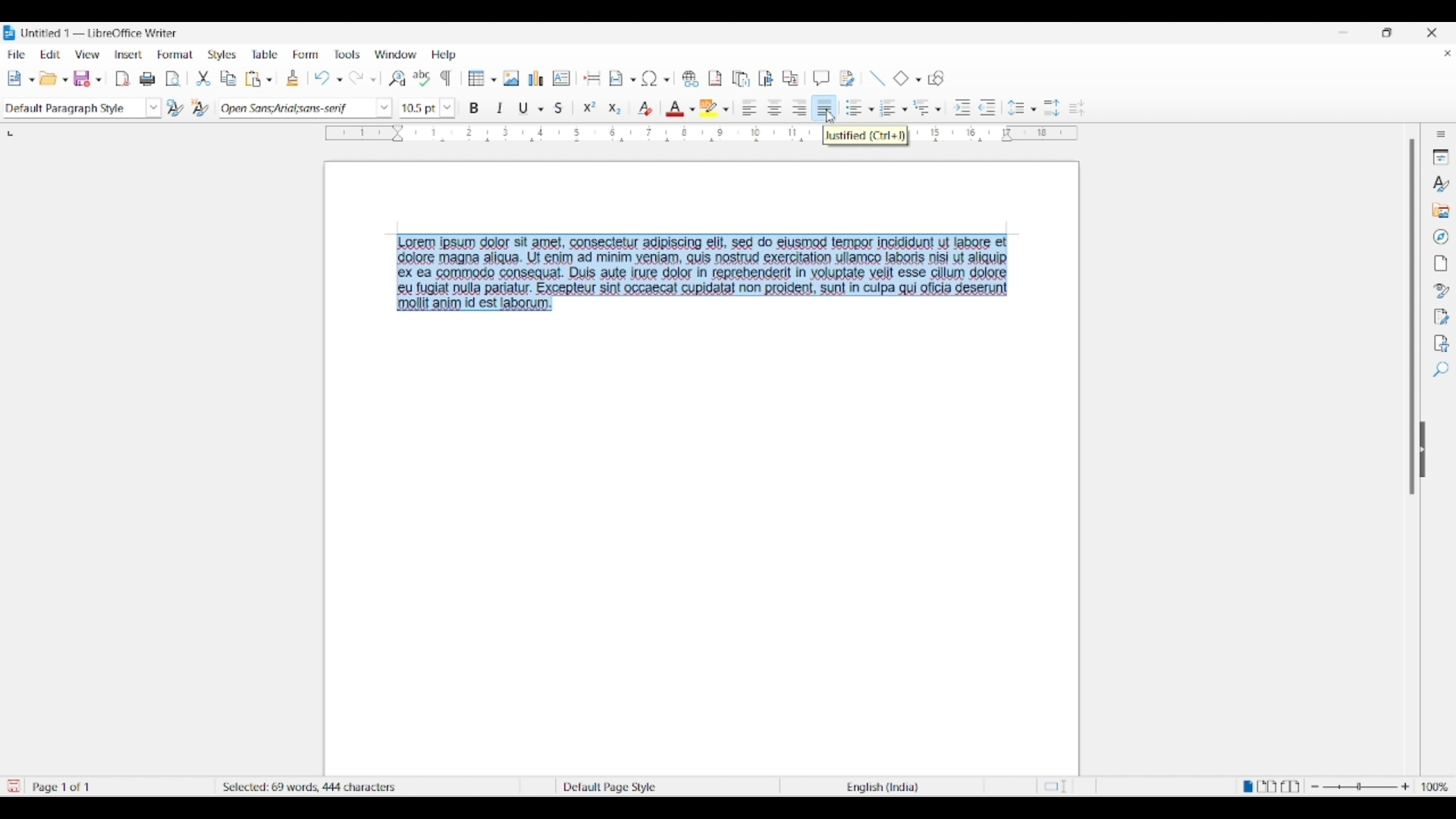 The image size is (1456, 819). I want to click on Cut, so click(203, 78).